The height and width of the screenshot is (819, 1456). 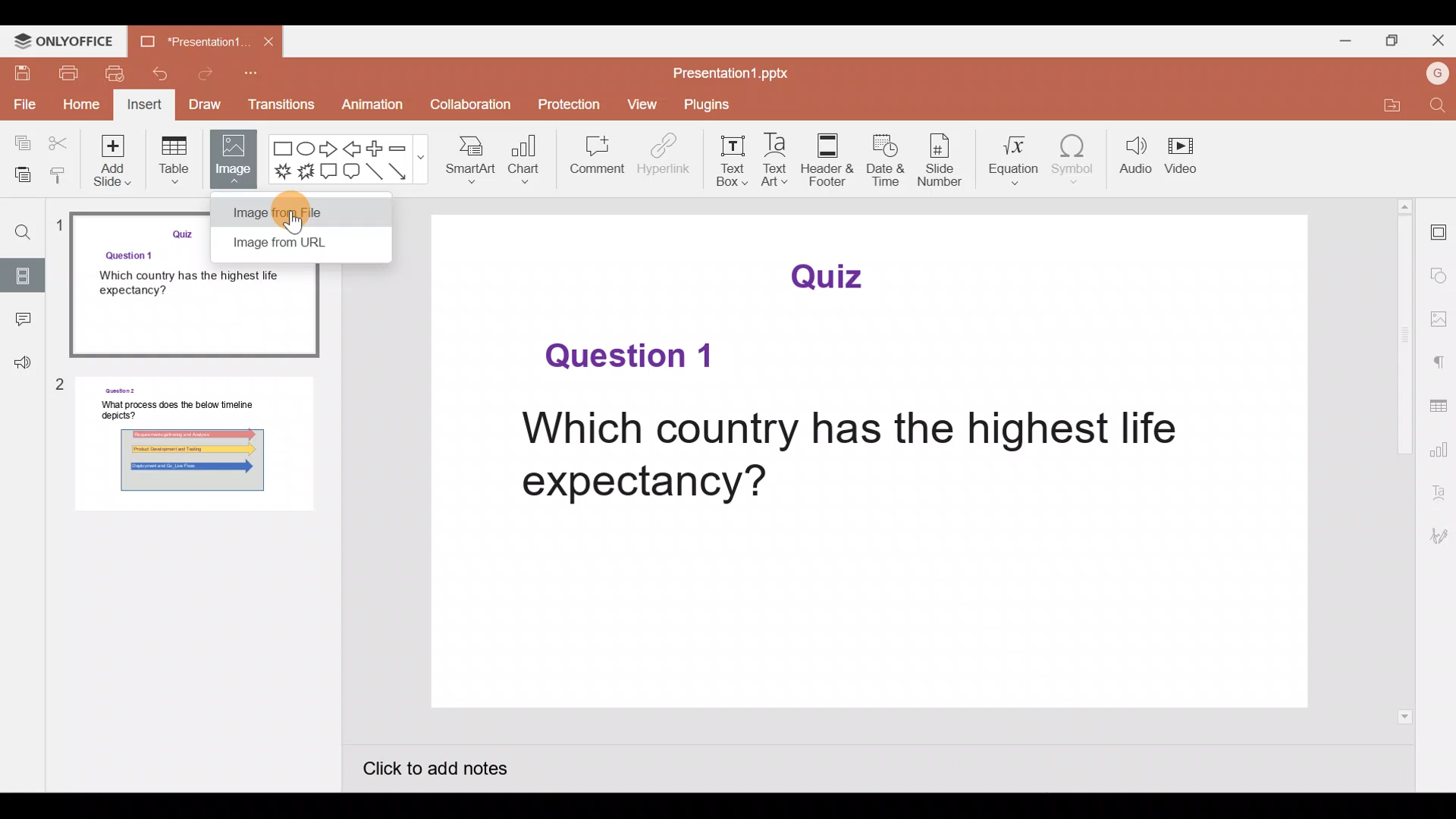 I want to click on Cursor on image from file, so click(x=305, y=209).